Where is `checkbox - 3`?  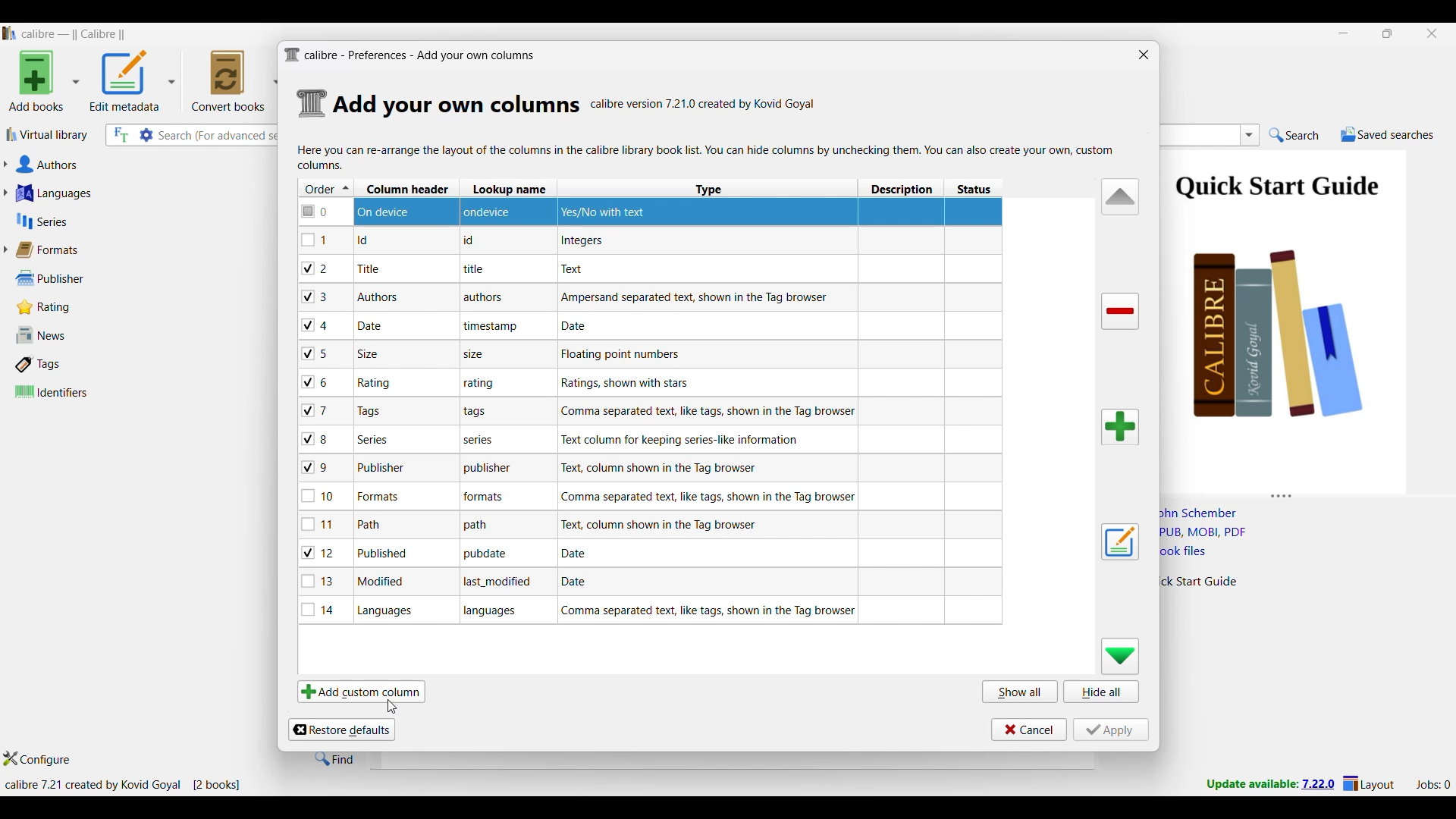
checkbox - 3 is located at coordinates (316, 297).